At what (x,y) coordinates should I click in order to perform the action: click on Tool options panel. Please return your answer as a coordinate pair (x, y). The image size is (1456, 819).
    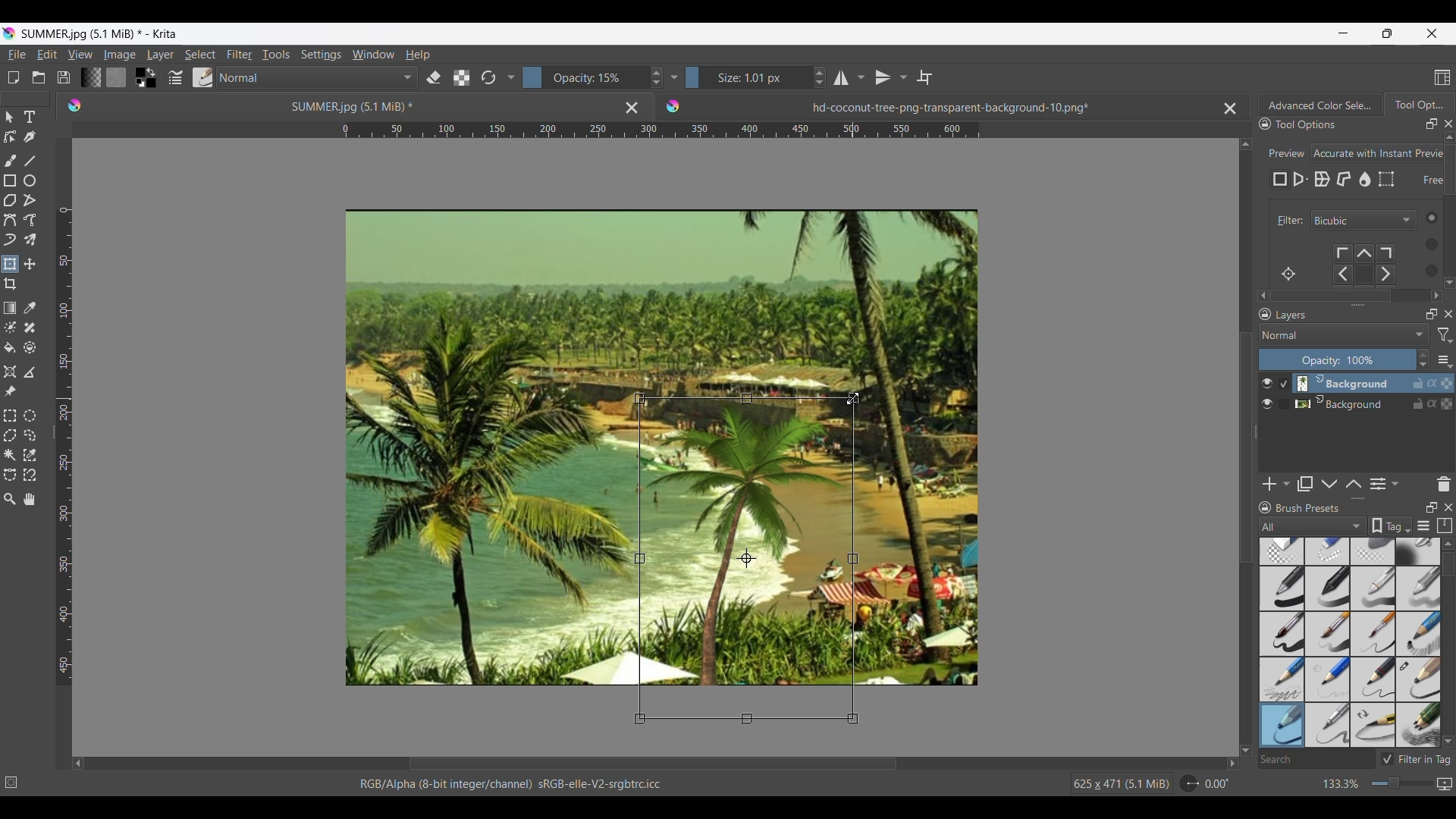
    Looking at the image, I should click on (1418, 104).